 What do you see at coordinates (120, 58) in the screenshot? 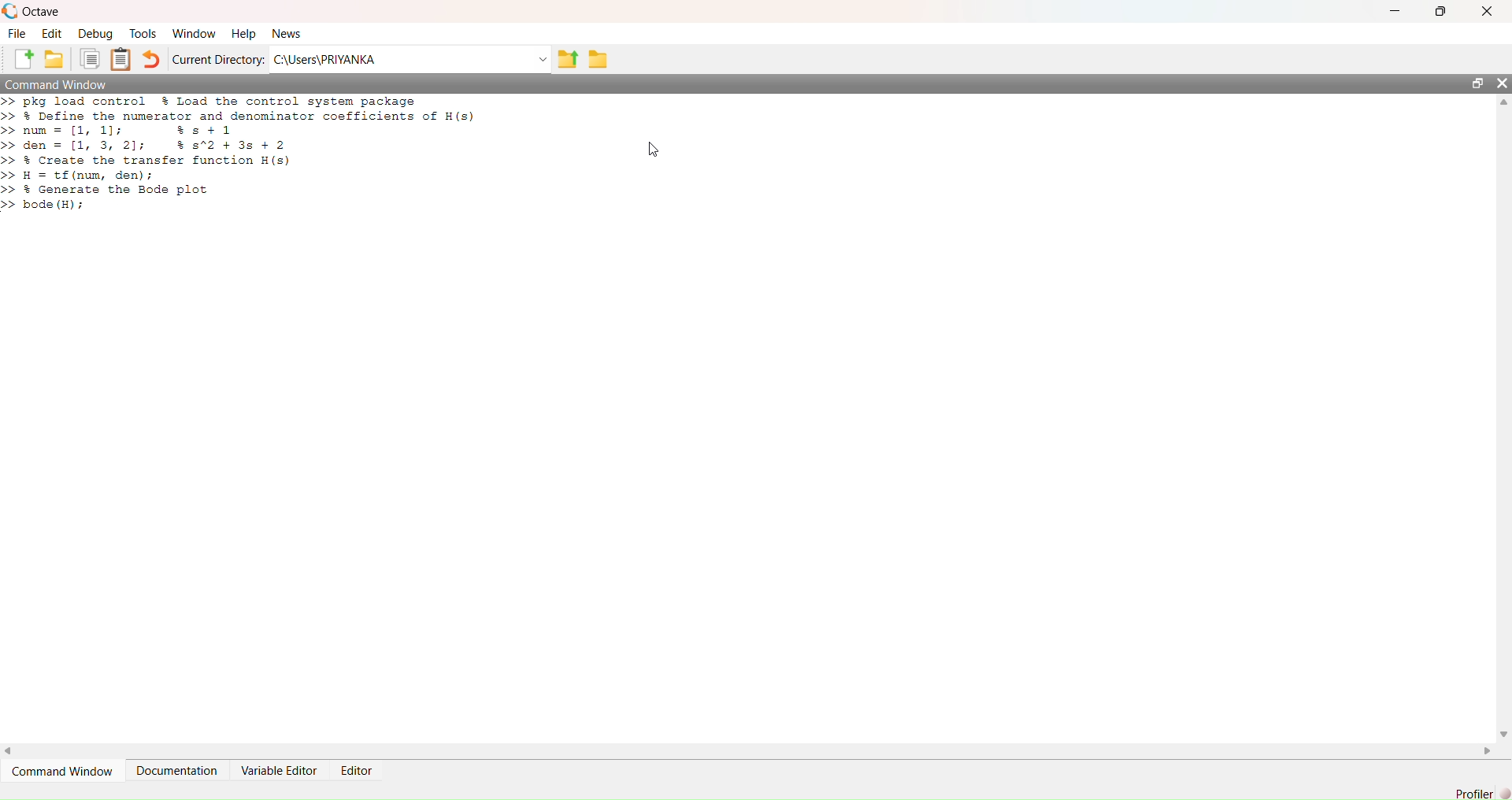
I see `Paste` at bounding box center [120, 58].